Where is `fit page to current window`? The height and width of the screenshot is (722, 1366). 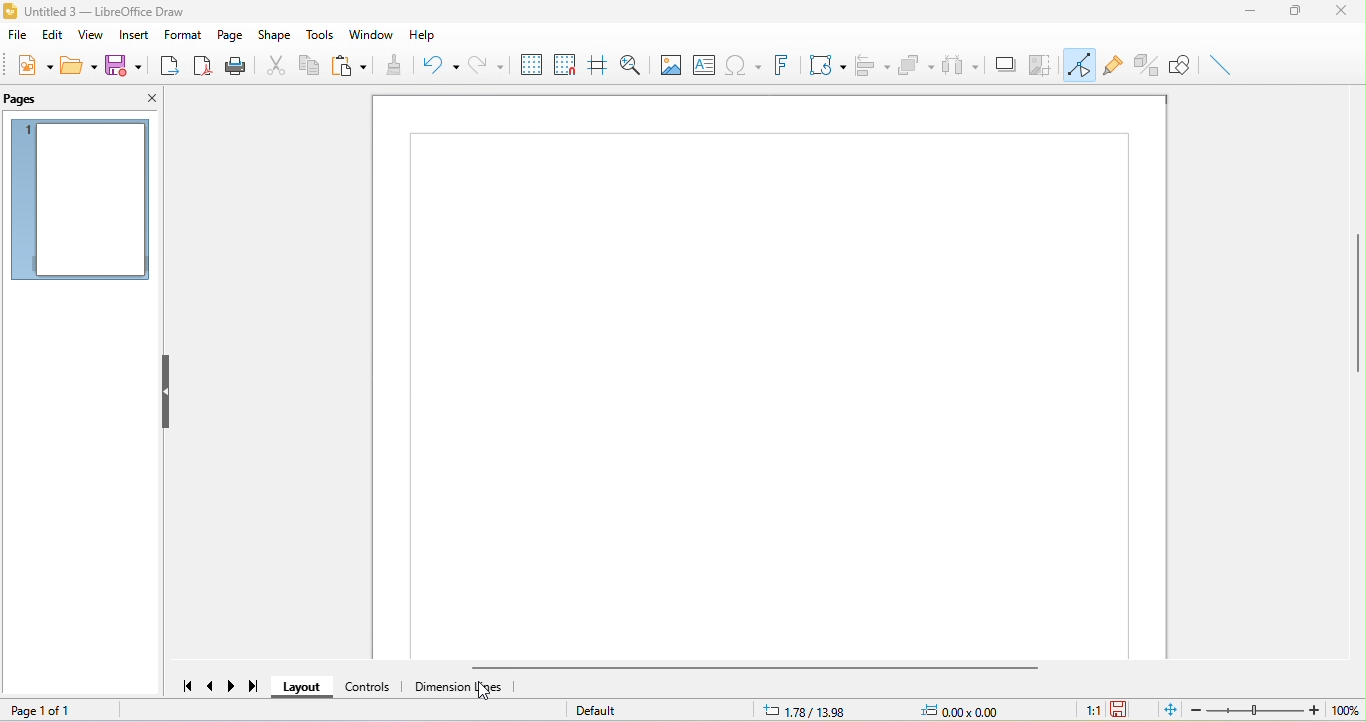
fit page to current window is located at coordinates (1169, 711).